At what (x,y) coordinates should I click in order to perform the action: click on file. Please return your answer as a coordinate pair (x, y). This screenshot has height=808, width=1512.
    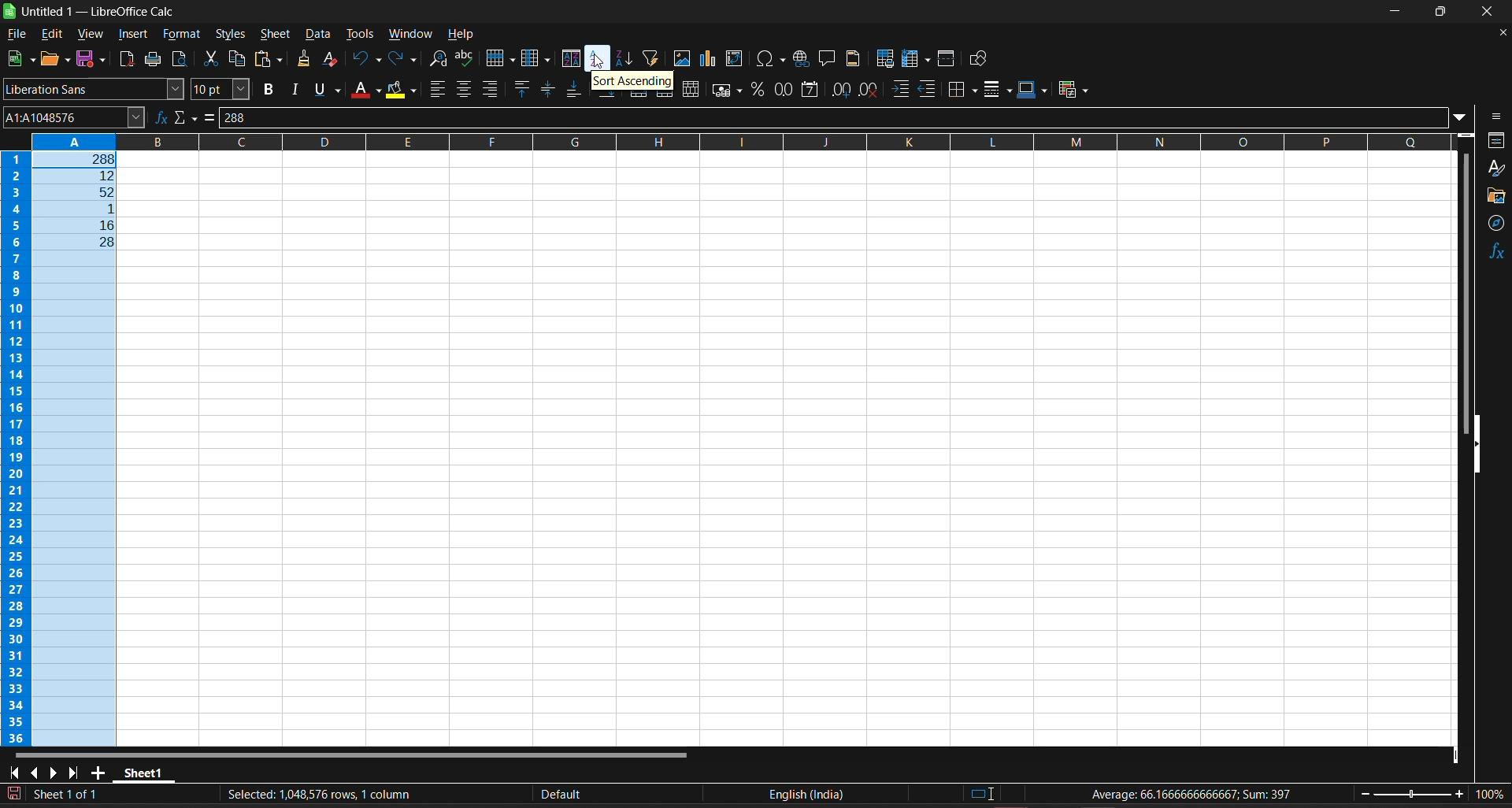
    Looking at the image, I should click on (17, 34).